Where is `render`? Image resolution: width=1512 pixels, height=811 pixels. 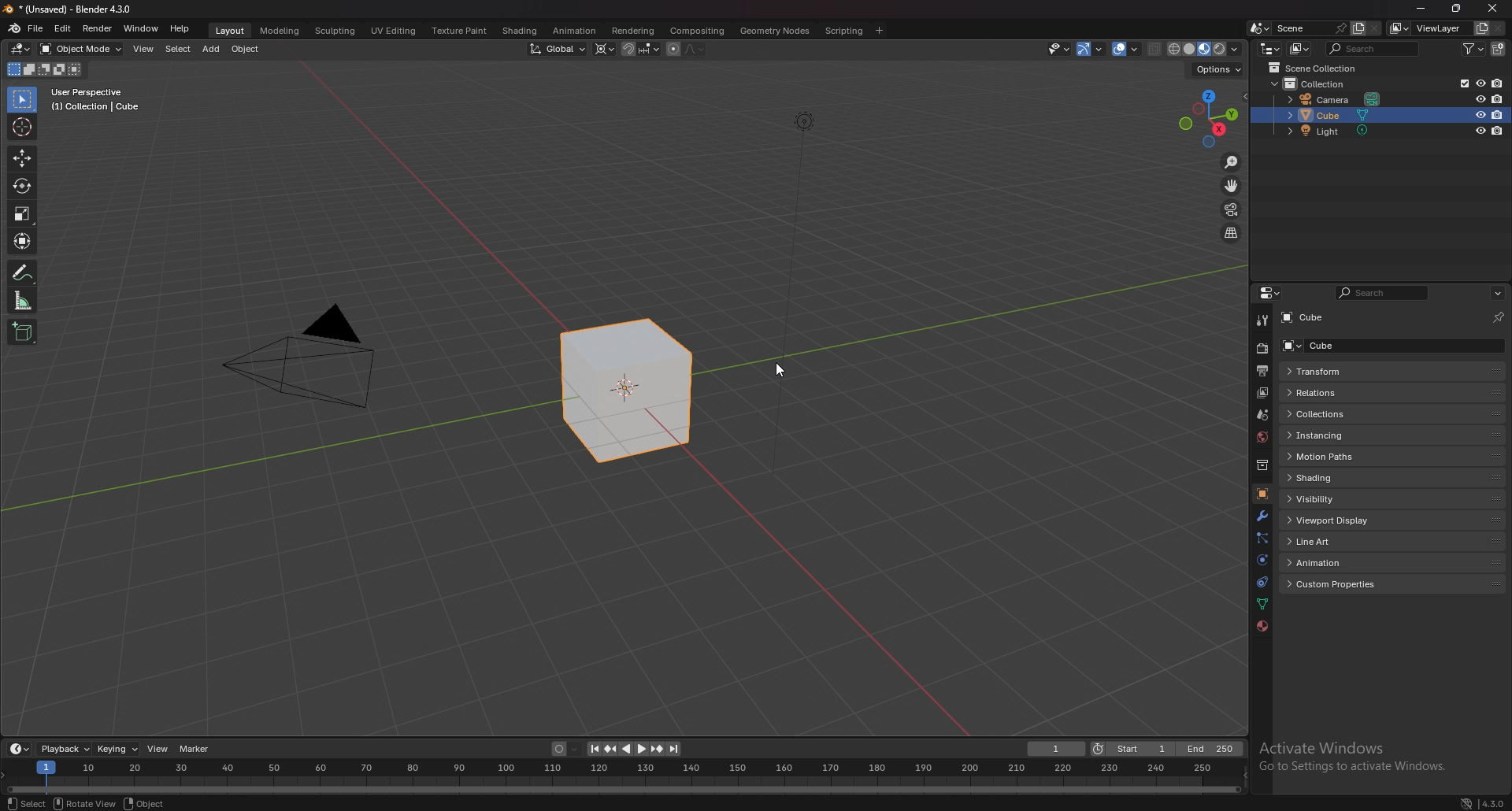
render is located at coordinates (97, 28).